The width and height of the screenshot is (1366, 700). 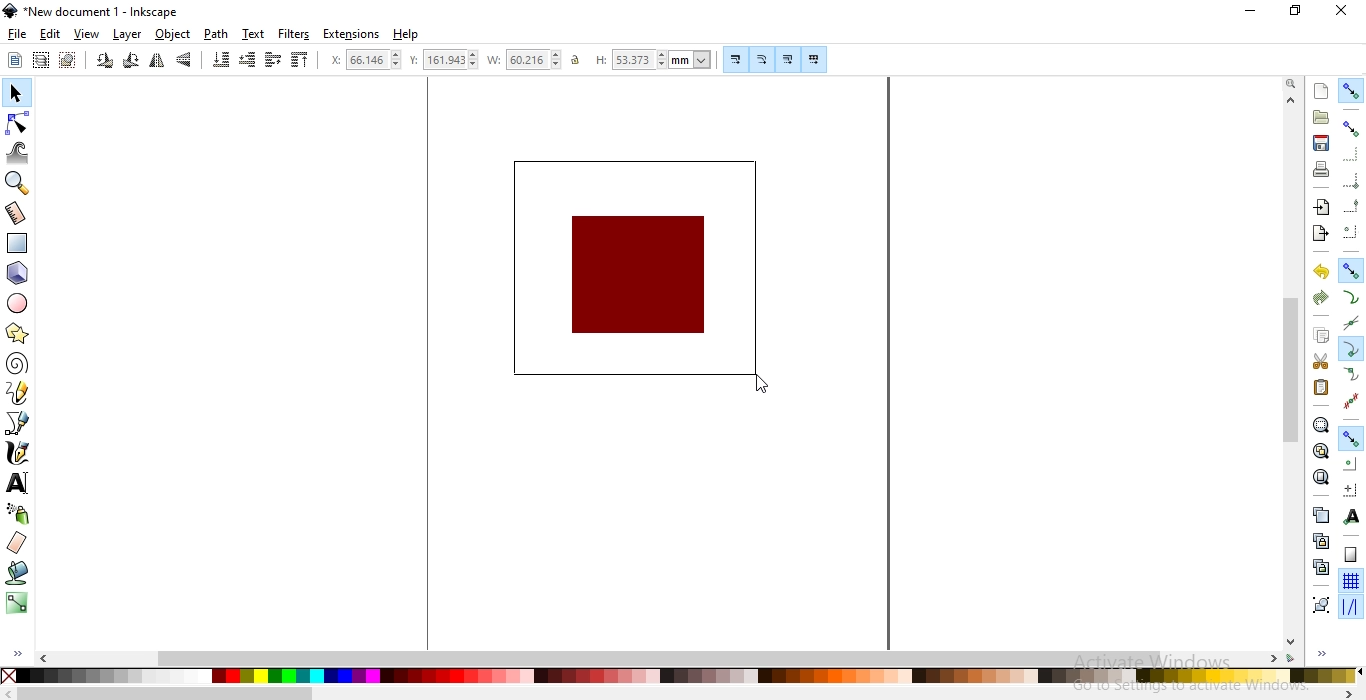 I want to click on cursor, so click(x=760, y=385).